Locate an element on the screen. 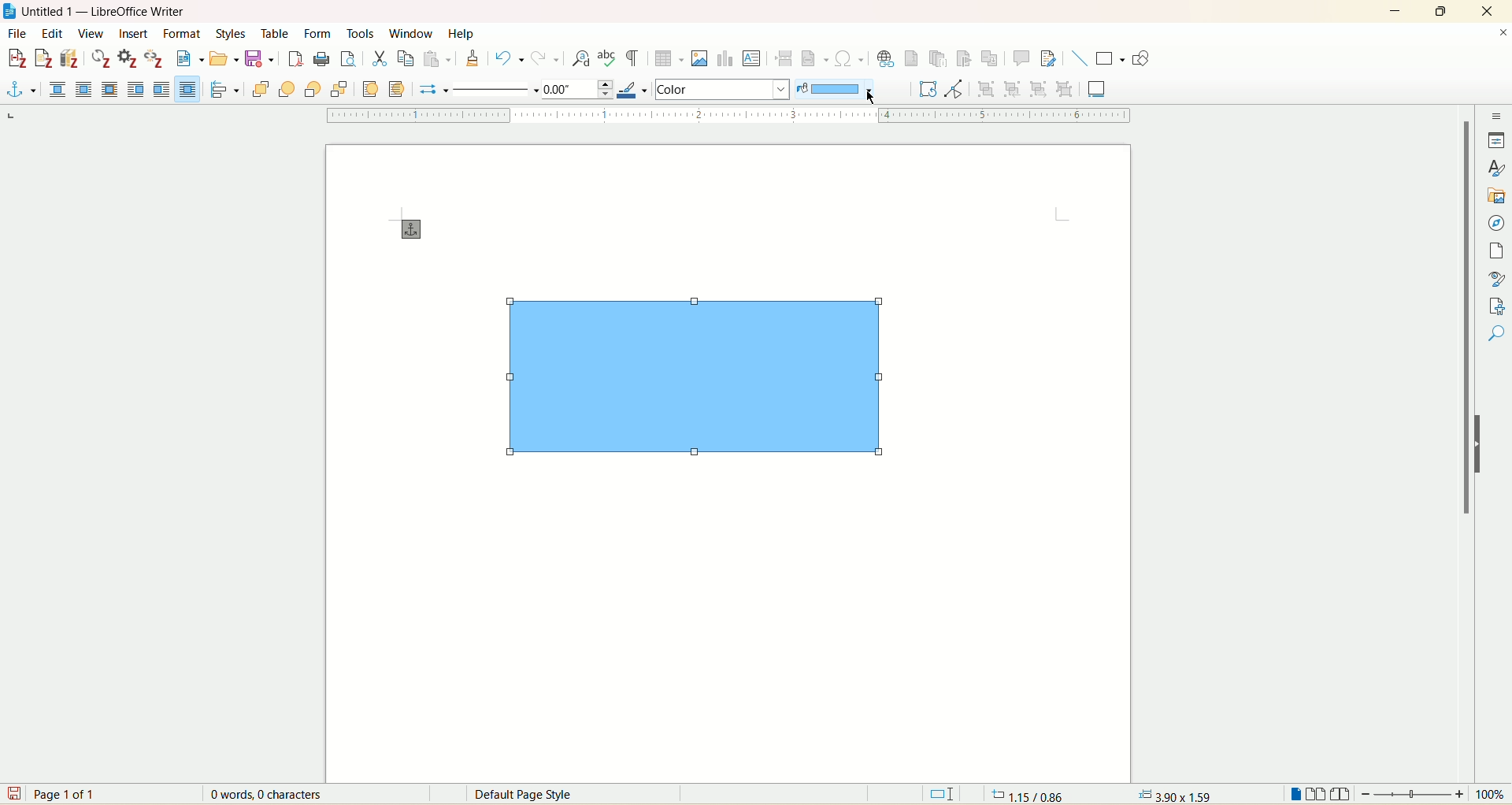 This screenshot has width=1512, height=805. window is located at coordinates (412, 32).